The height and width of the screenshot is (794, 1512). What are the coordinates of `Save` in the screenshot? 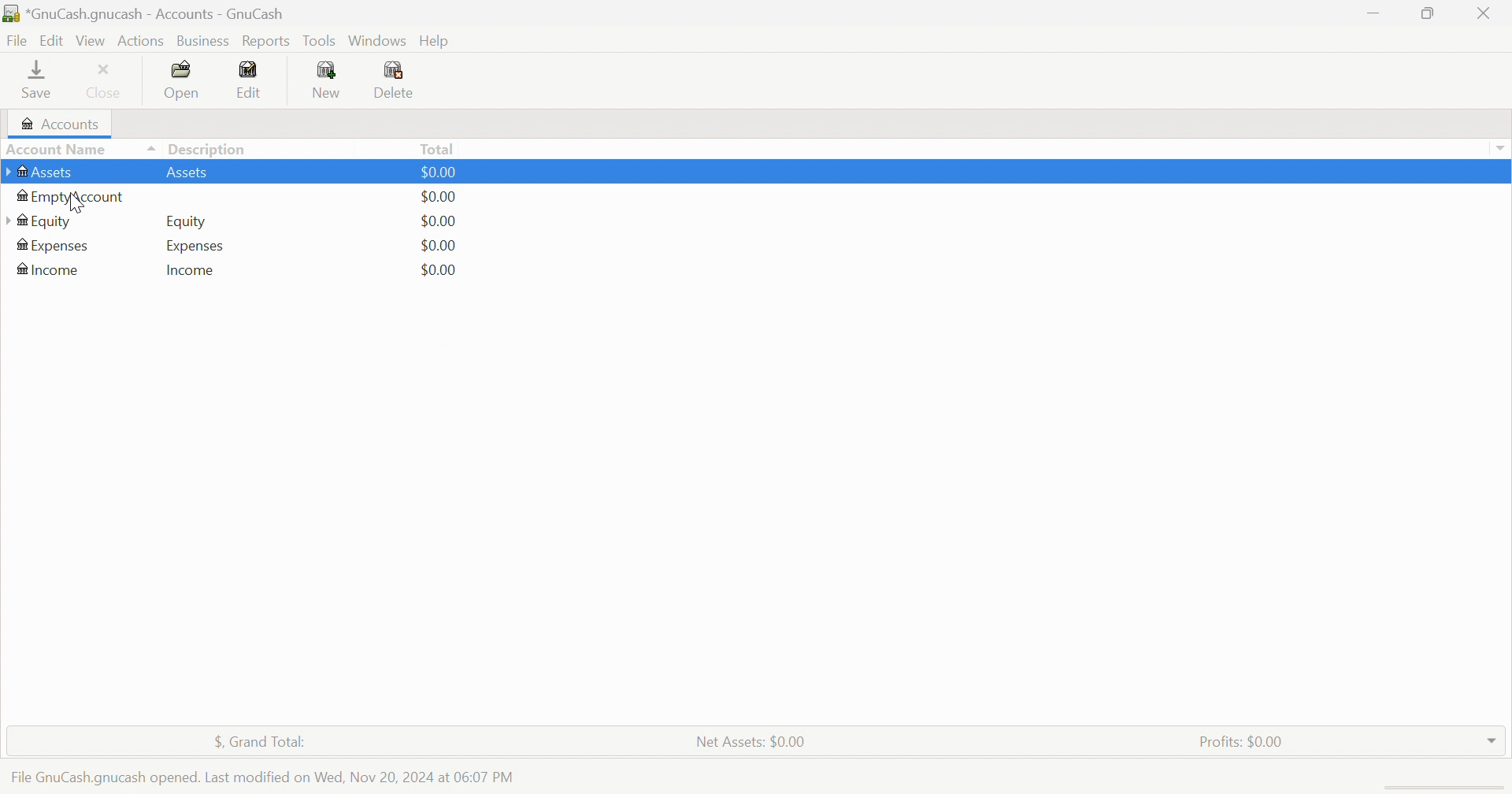 It's located at (36, 79).